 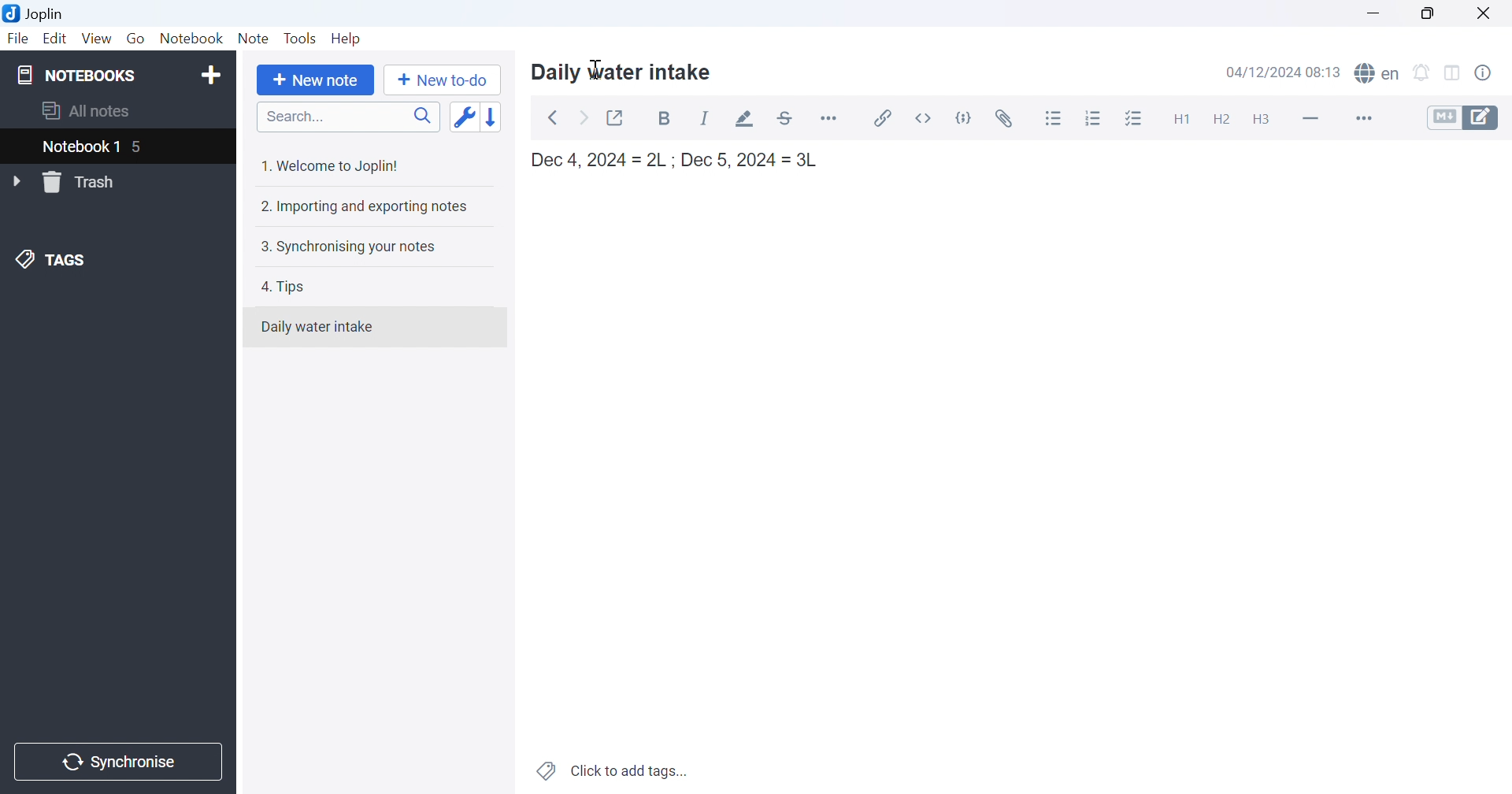 What do you see at coordinates (1376, 10) in the screenshot?
I see `Minimize` at bounding box center [1376, 10].